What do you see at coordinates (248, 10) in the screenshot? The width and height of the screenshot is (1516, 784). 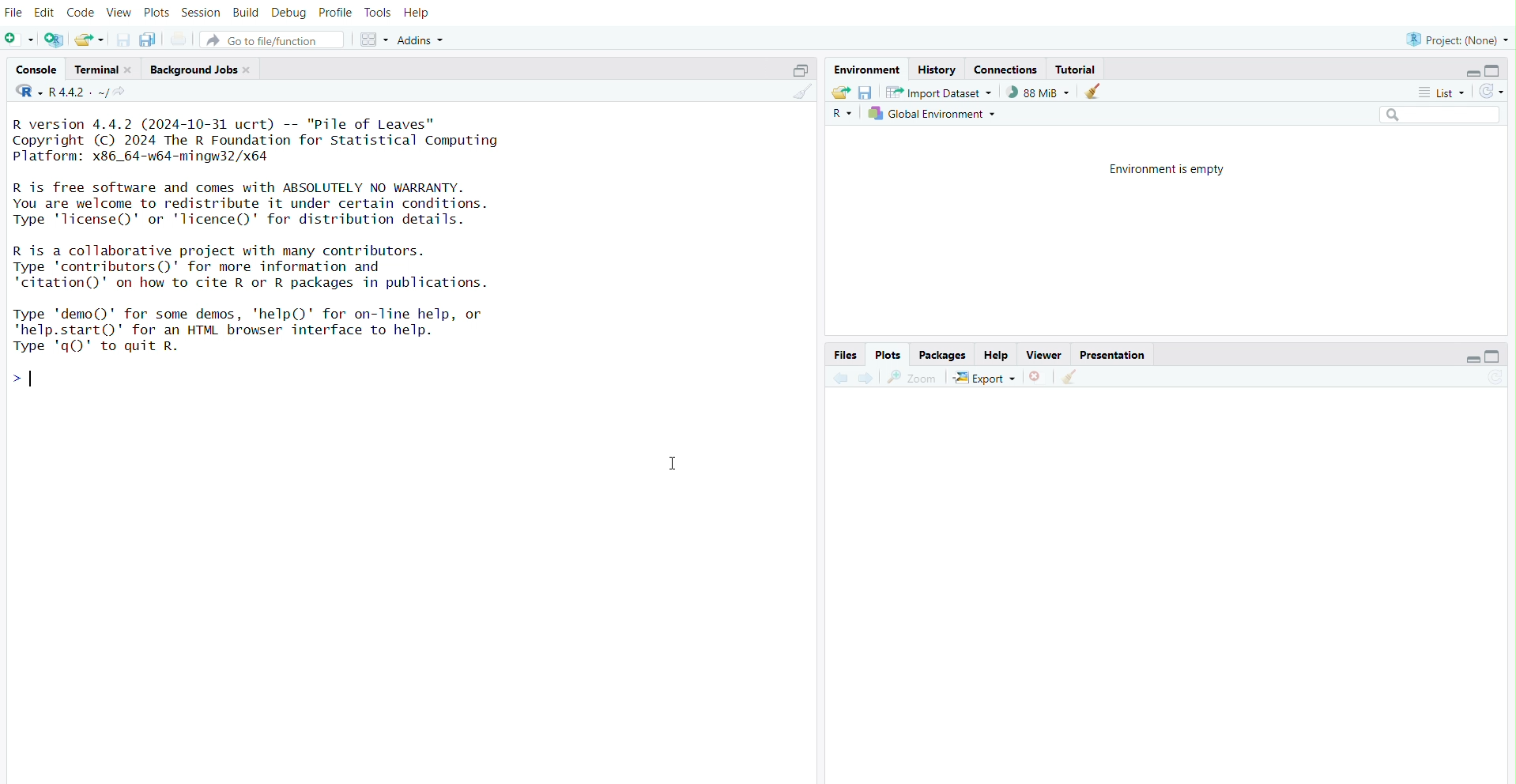 I see `build` at bounding box center [248, 10].